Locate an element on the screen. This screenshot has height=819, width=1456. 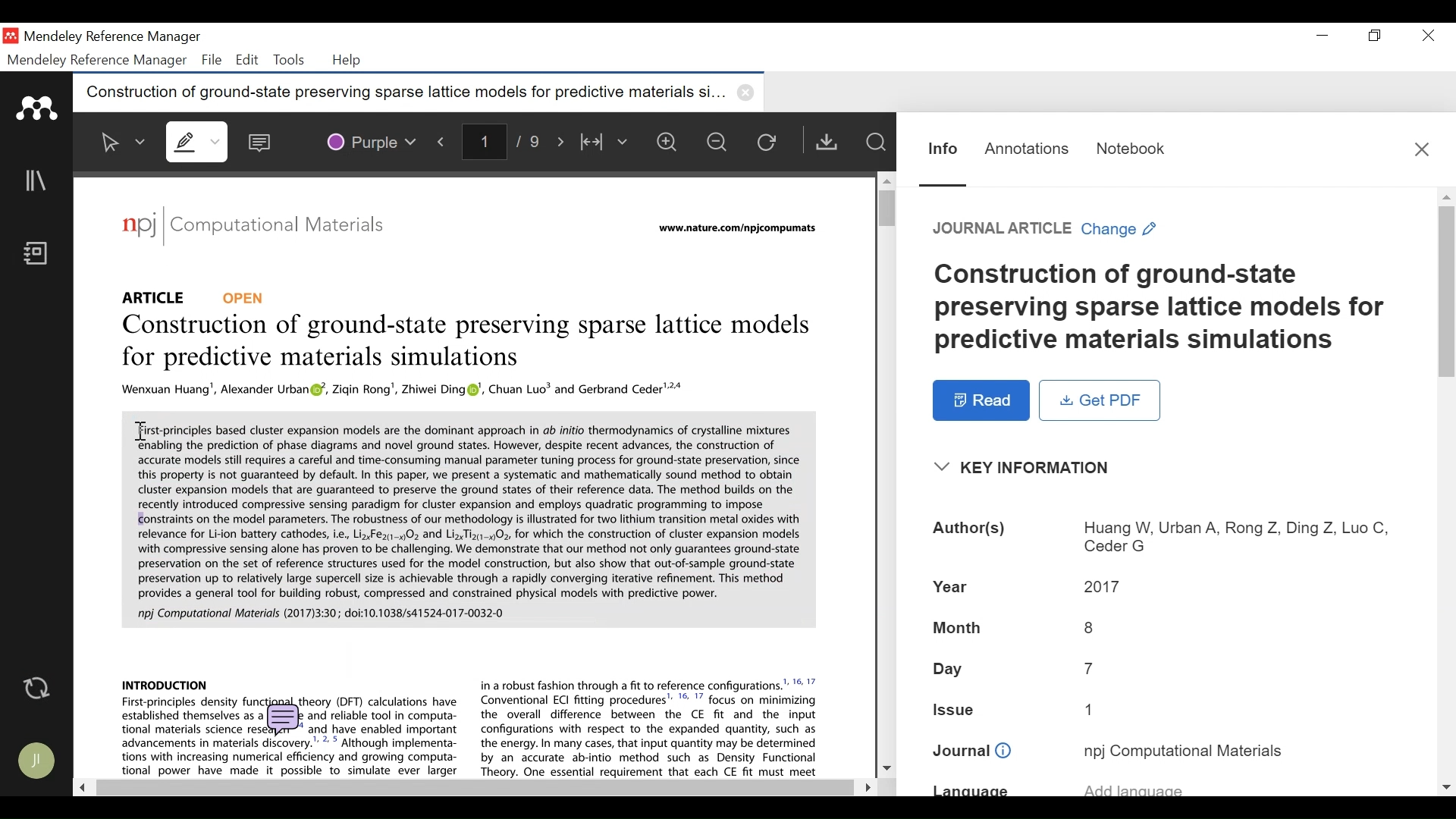
Notebook is located at coordinates (40, 255).